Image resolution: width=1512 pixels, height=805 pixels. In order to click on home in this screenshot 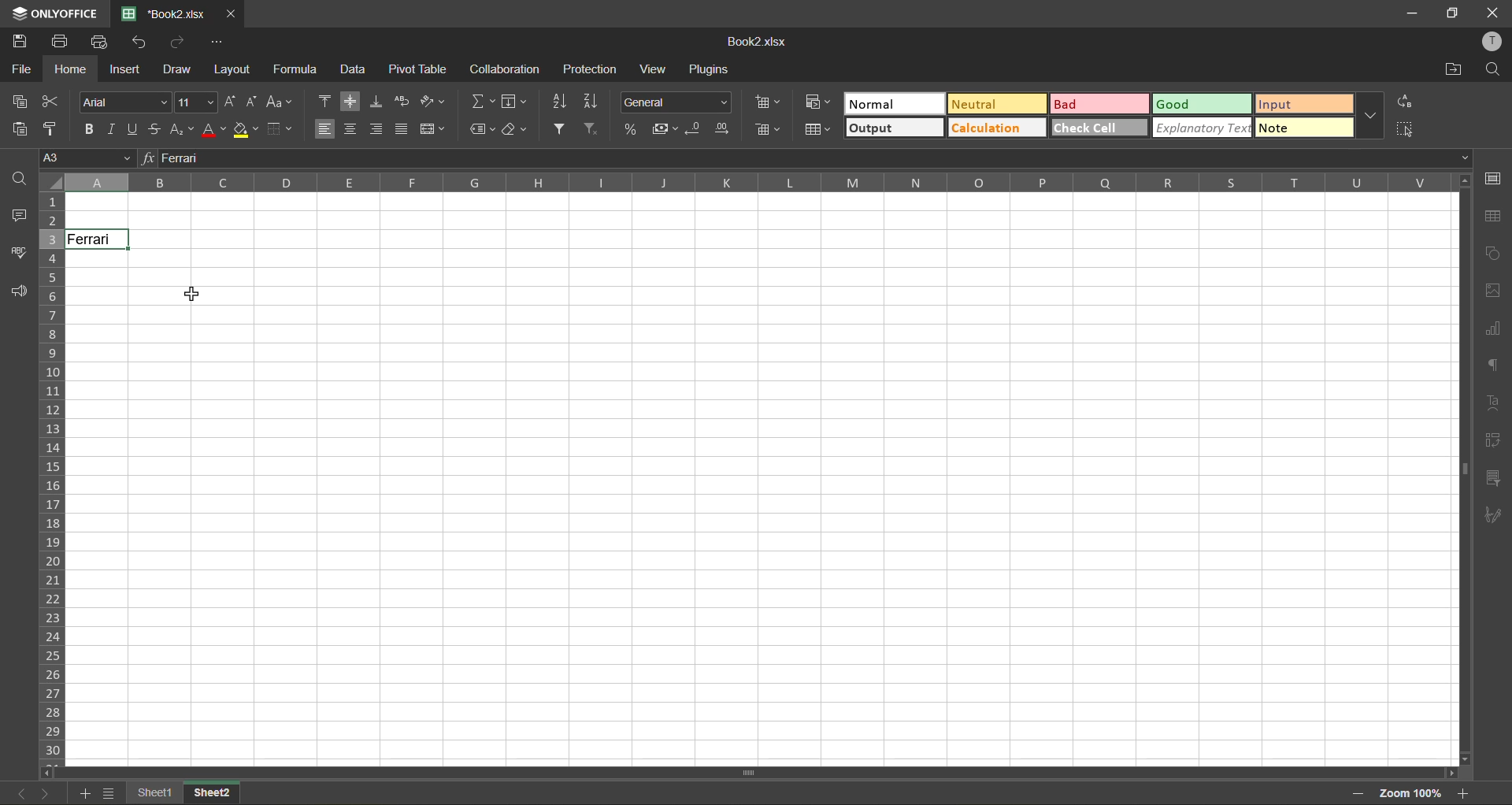, I will do `click(68, 70)`.